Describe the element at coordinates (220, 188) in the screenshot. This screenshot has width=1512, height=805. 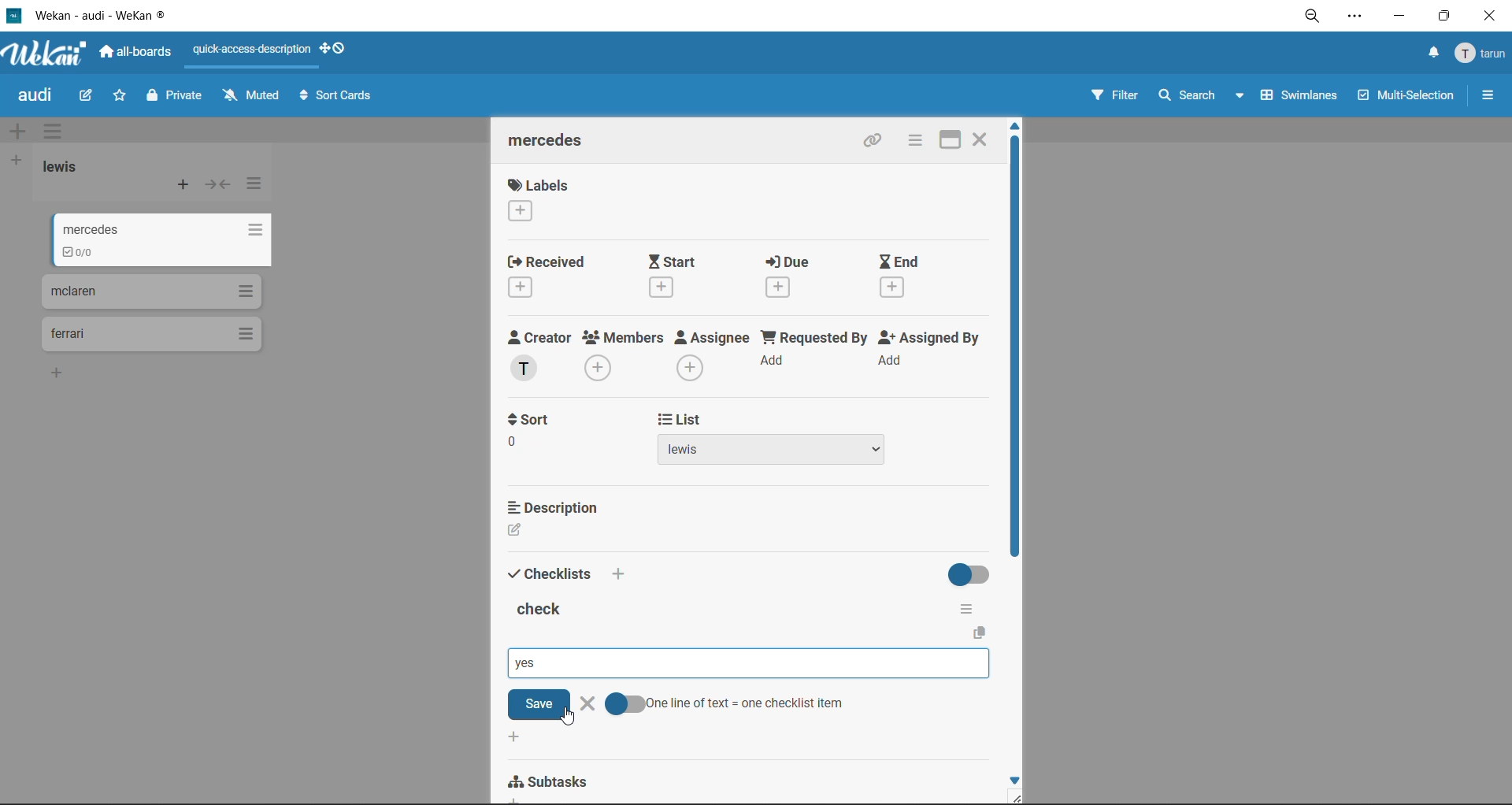
I see `collapse` at that location.